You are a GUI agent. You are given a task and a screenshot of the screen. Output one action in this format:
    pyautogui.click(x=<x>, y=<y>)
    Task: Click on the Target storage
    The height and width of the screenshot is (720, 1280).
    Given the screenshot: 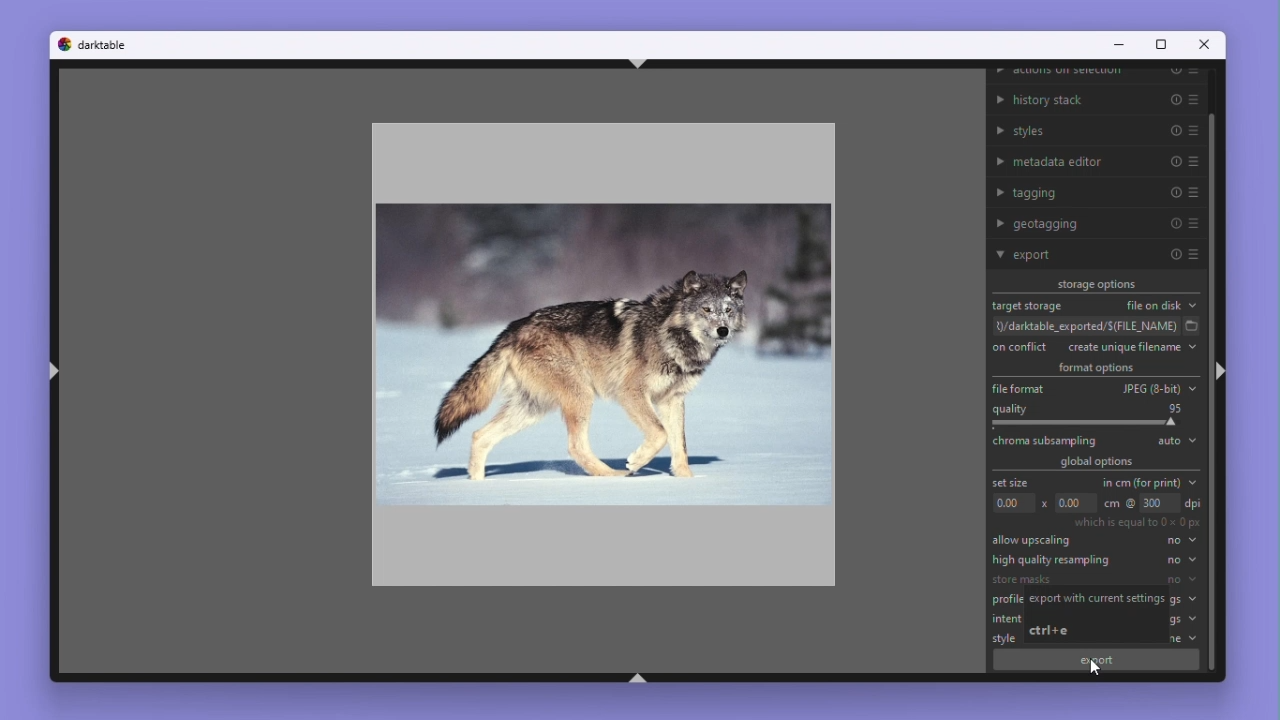 What is the action you would take?
    pyautogui.click(x=1026, y=306)
    